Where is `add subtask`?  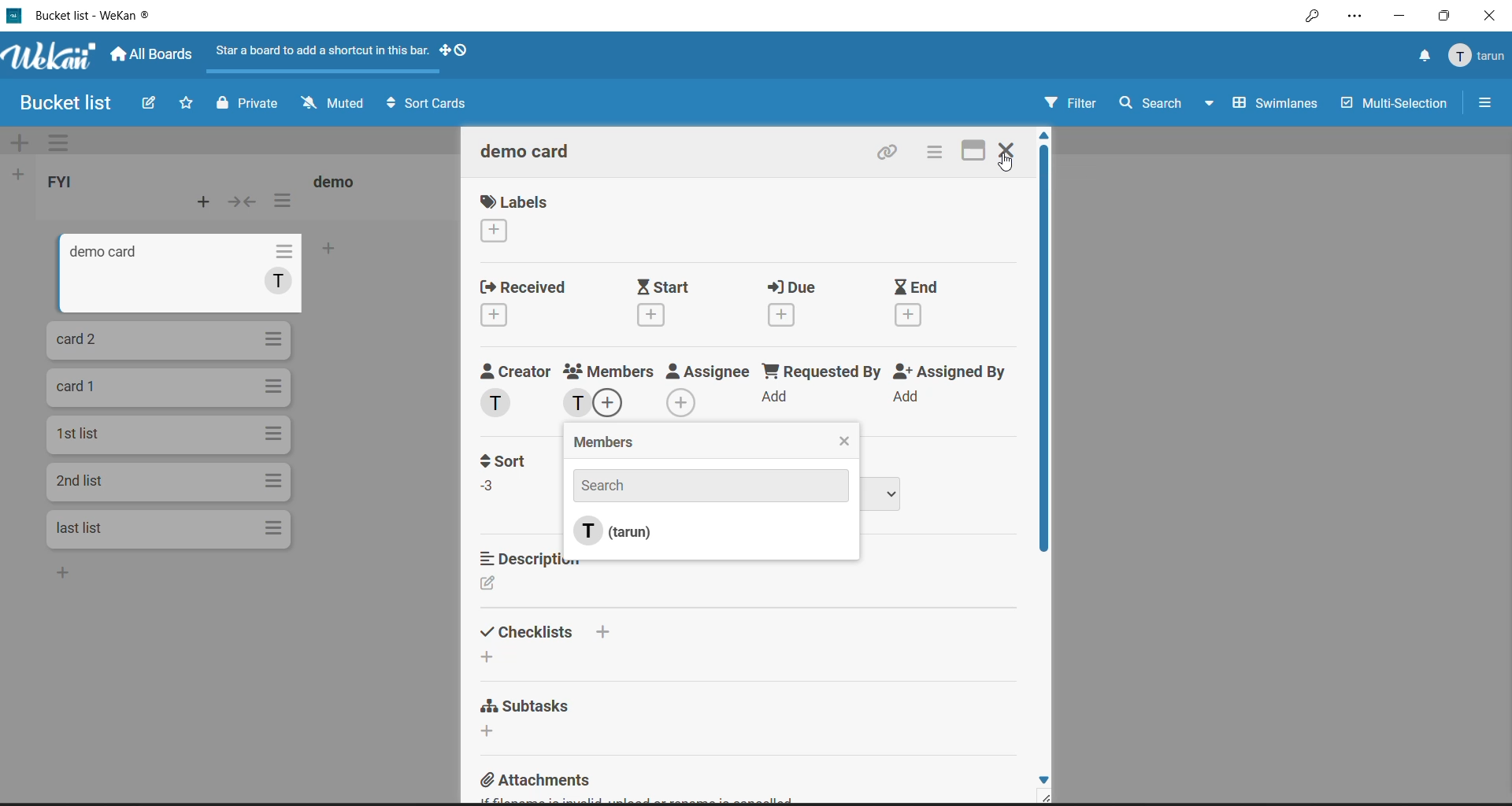 add subtask is located at coordinates (490, 730).